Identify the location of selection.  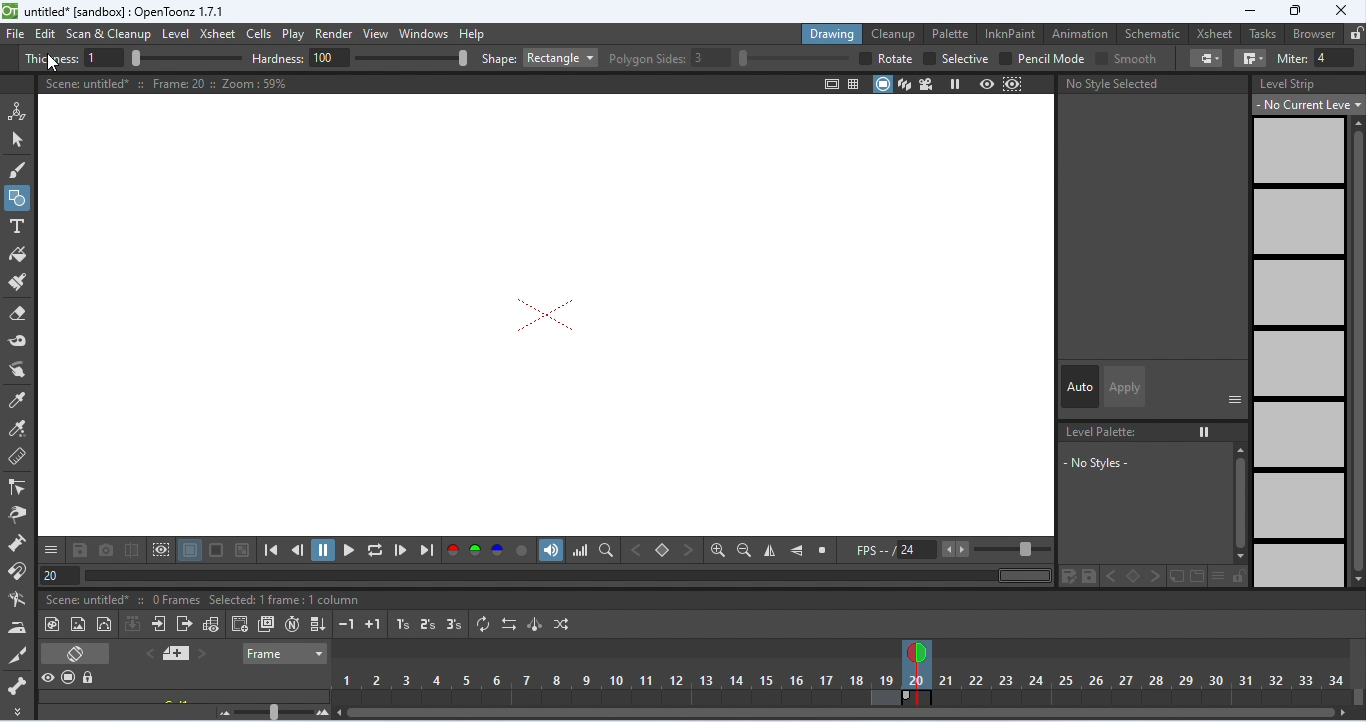
(17, 139).